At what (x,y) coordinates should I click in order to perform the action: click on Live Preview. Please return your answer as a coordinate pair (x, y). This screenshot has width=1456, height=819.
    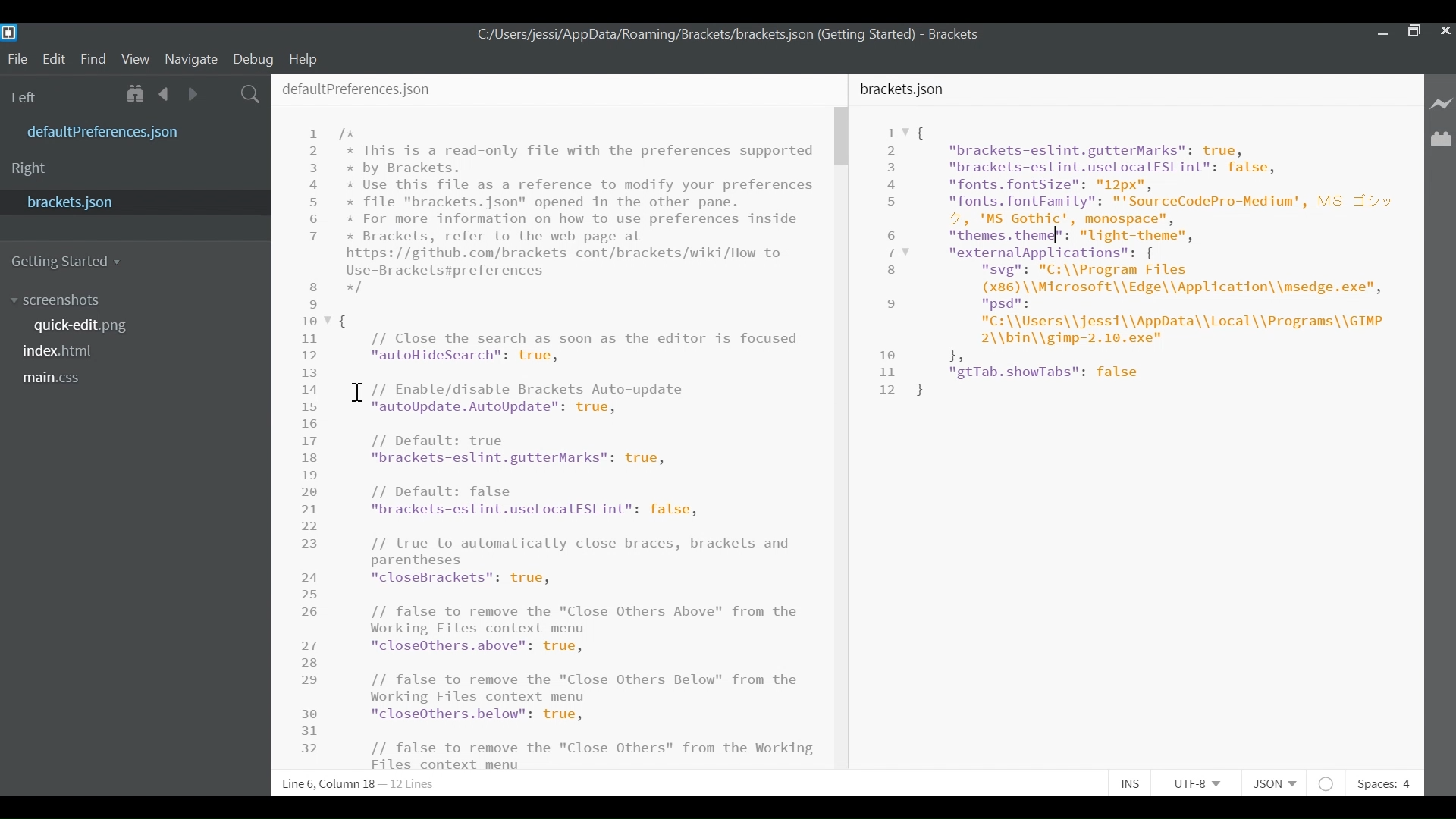
    Looking at the image, I should click on (1439, 102).